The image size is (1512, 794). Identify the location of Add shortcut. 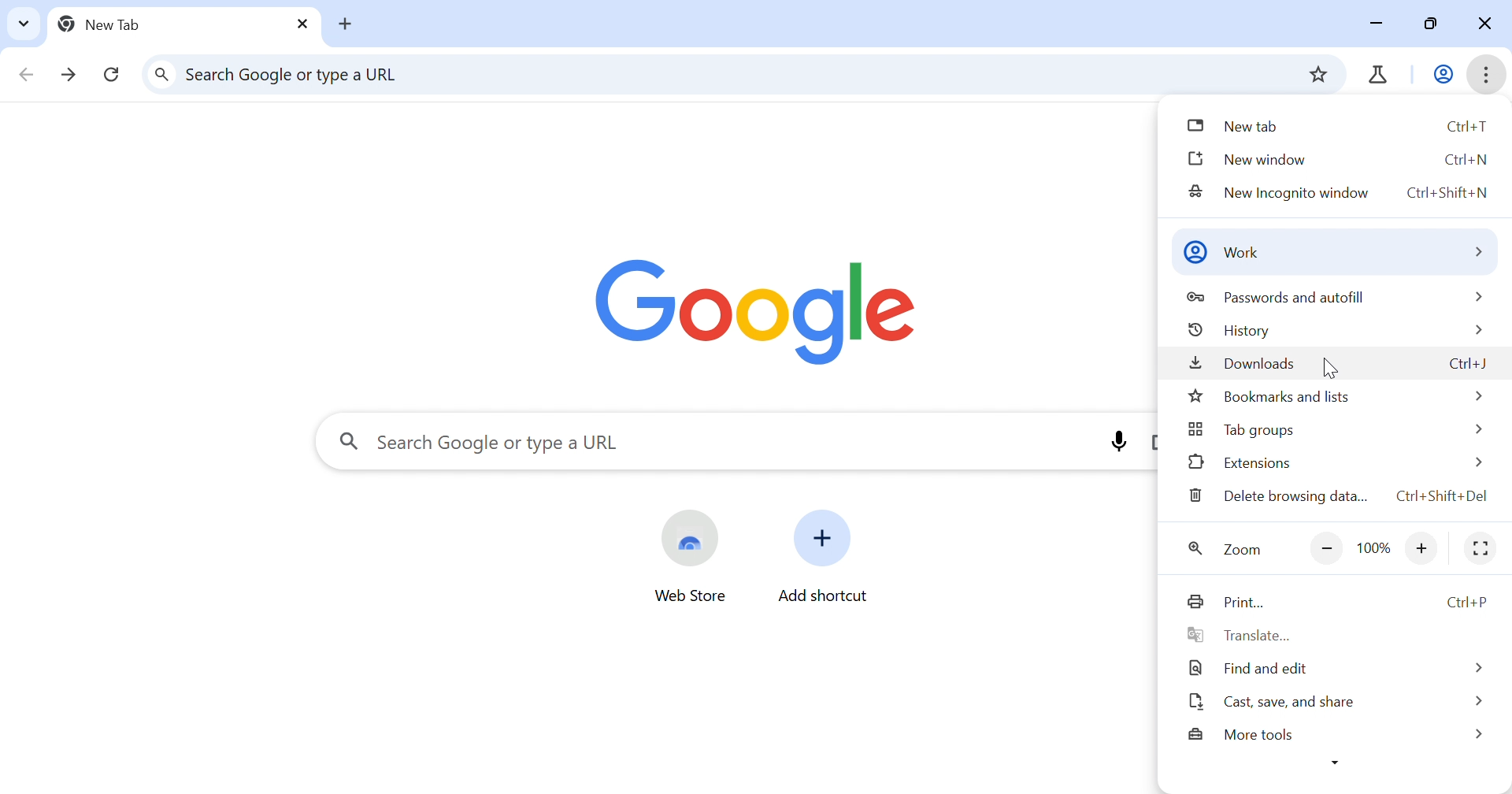
(824, 538).